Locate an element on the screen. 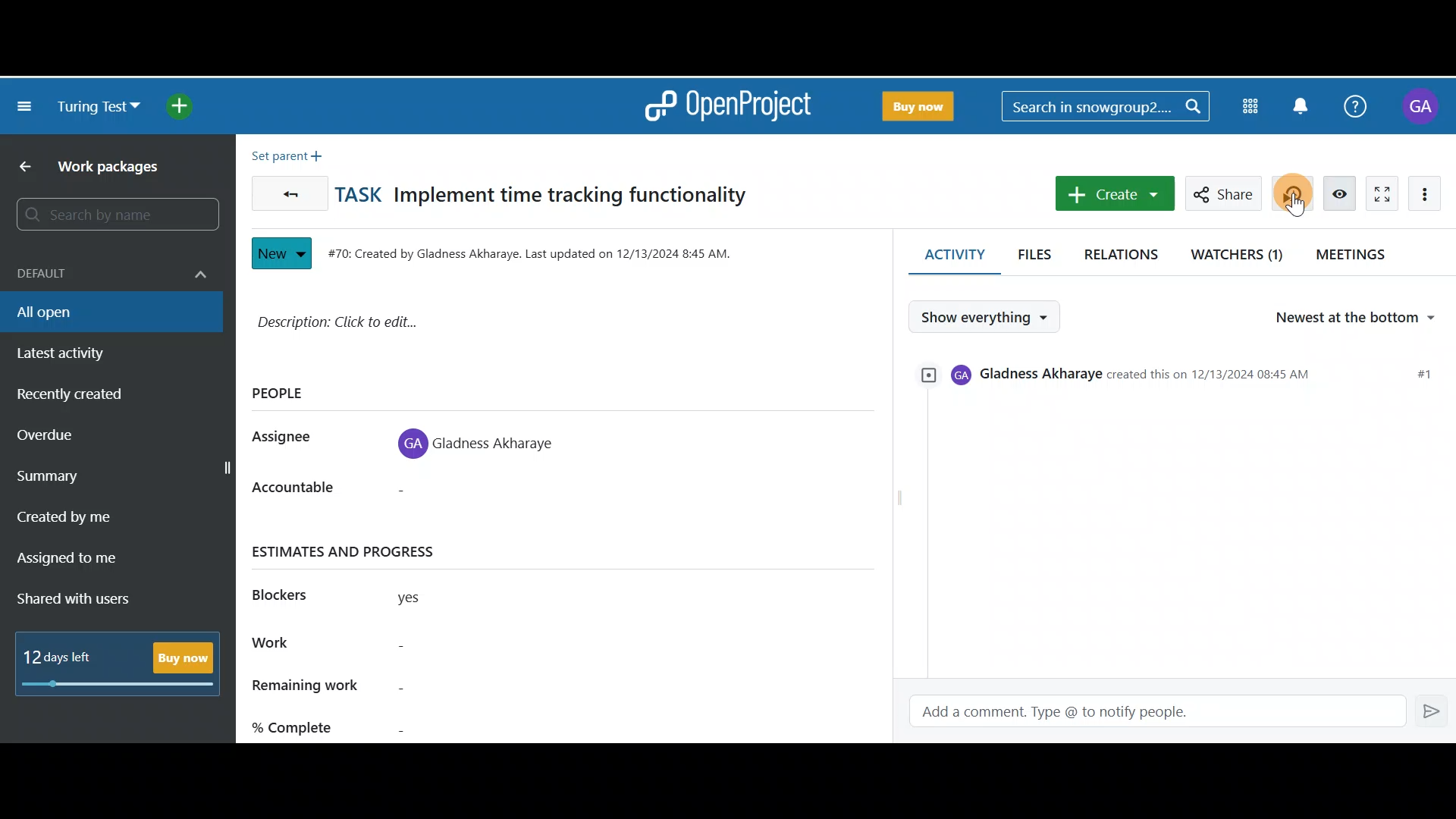 This screenshot has height=819, width=1456. Account name is located at coordinates (1423, 107).